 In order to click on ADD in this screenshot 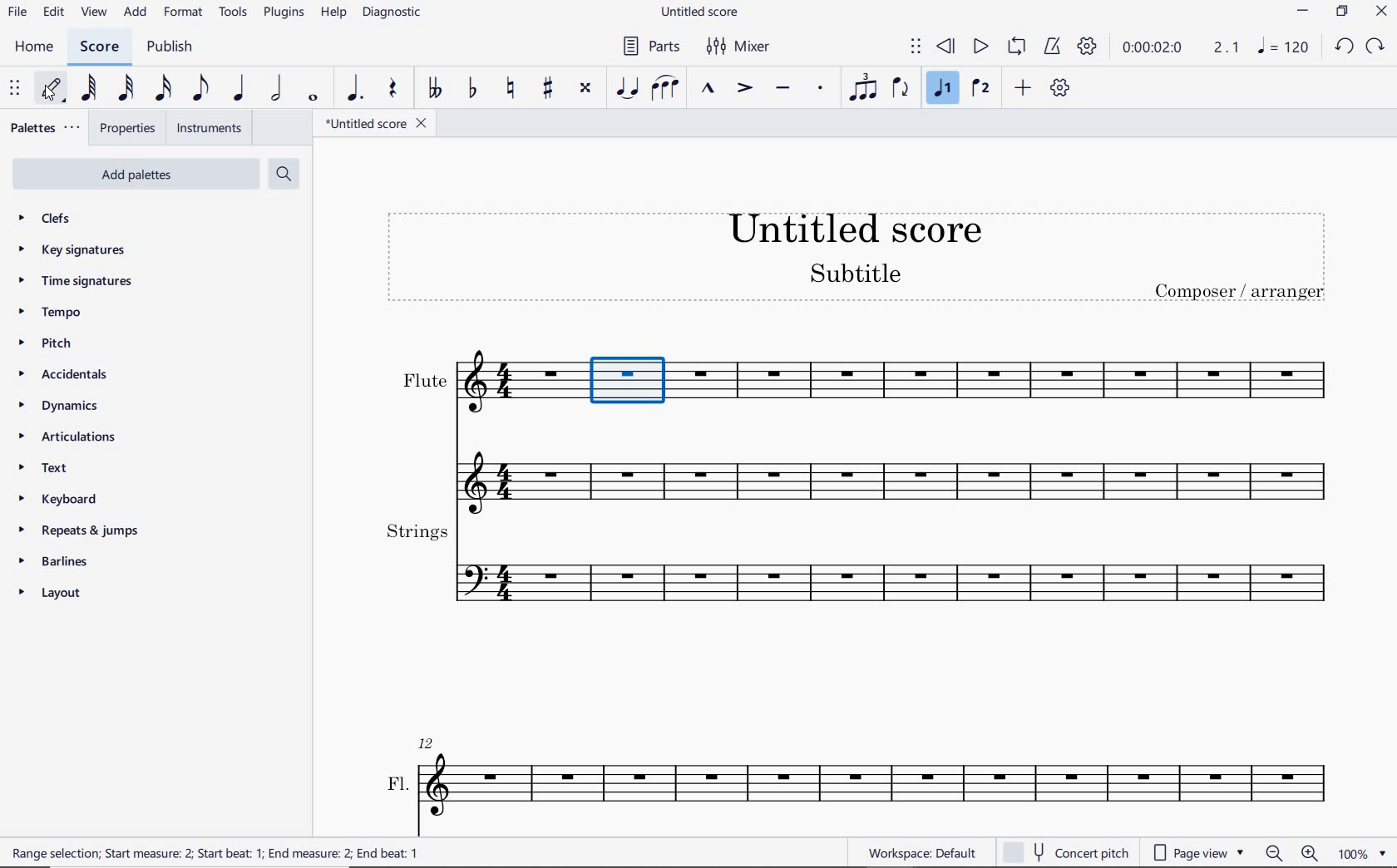, I will do `click(1025, 87)`.